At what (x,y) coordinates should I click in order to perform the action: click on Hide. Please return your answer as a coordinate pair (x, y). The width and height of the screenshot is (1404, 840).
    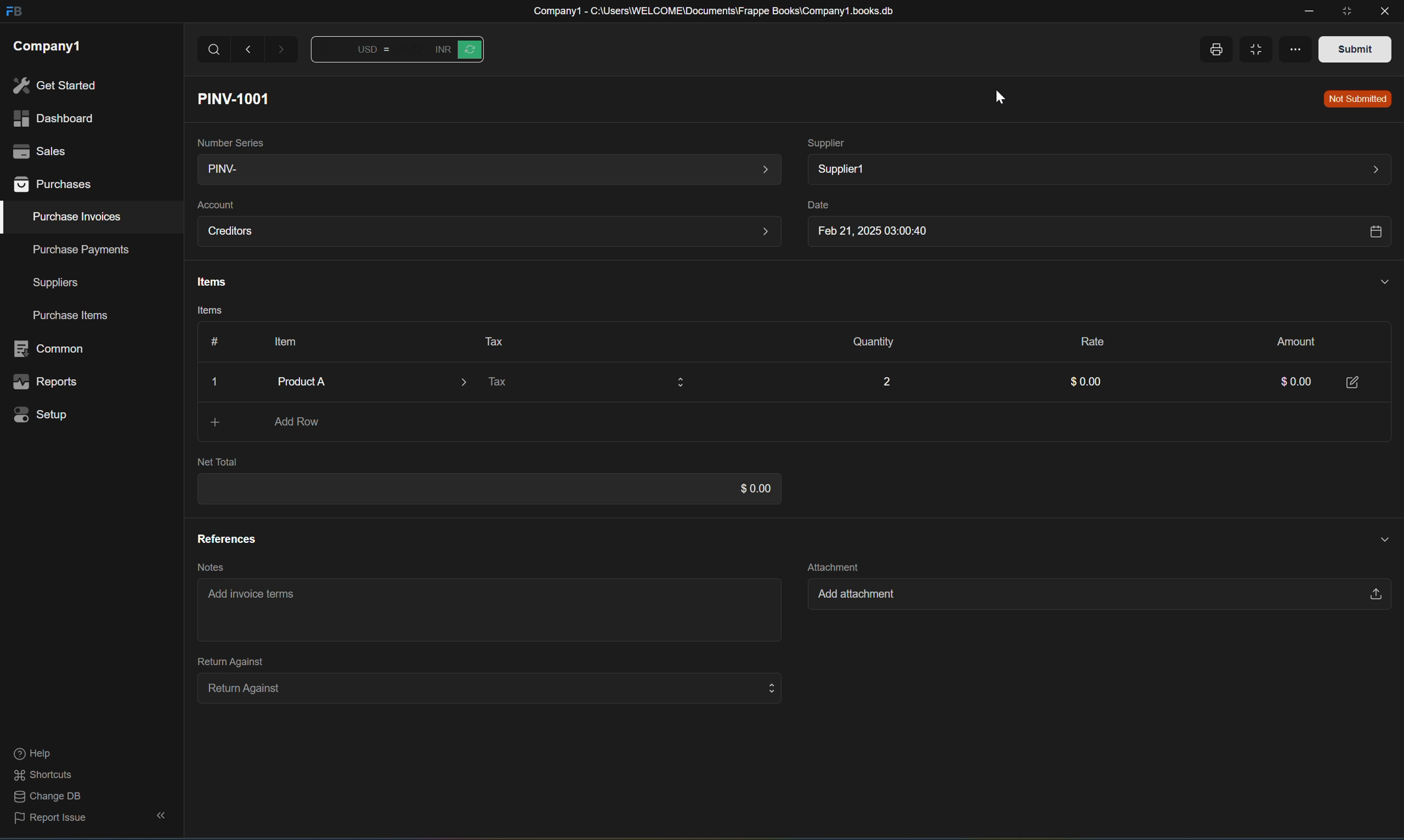
    Looking at the image, I should click on (1381, 281).